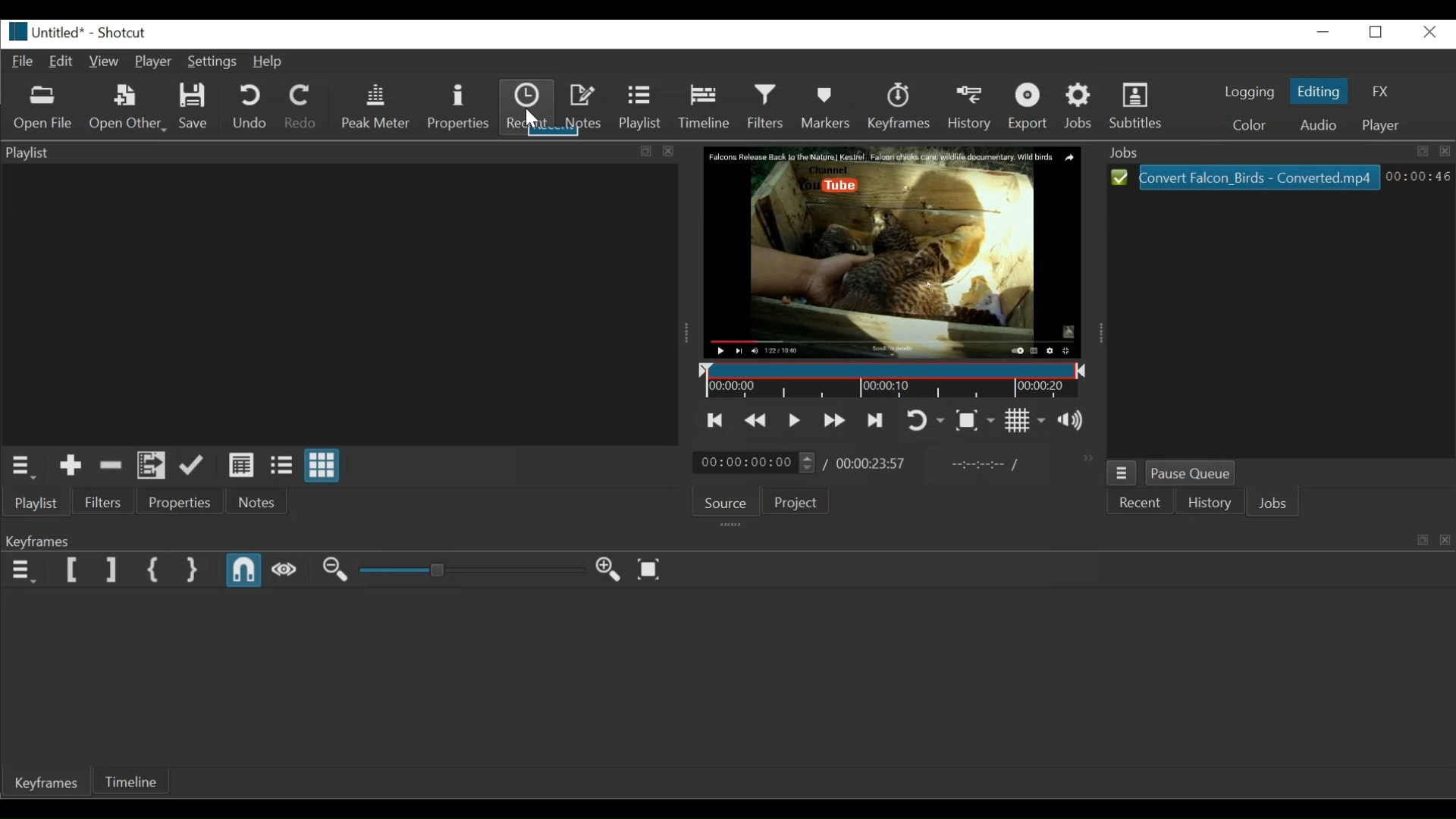 The width and height of the screenshot is (1456, 819). What do you see at coordinates (1244, 178) in the screenshot?
I see `File` at bounding box center [1244, 178].